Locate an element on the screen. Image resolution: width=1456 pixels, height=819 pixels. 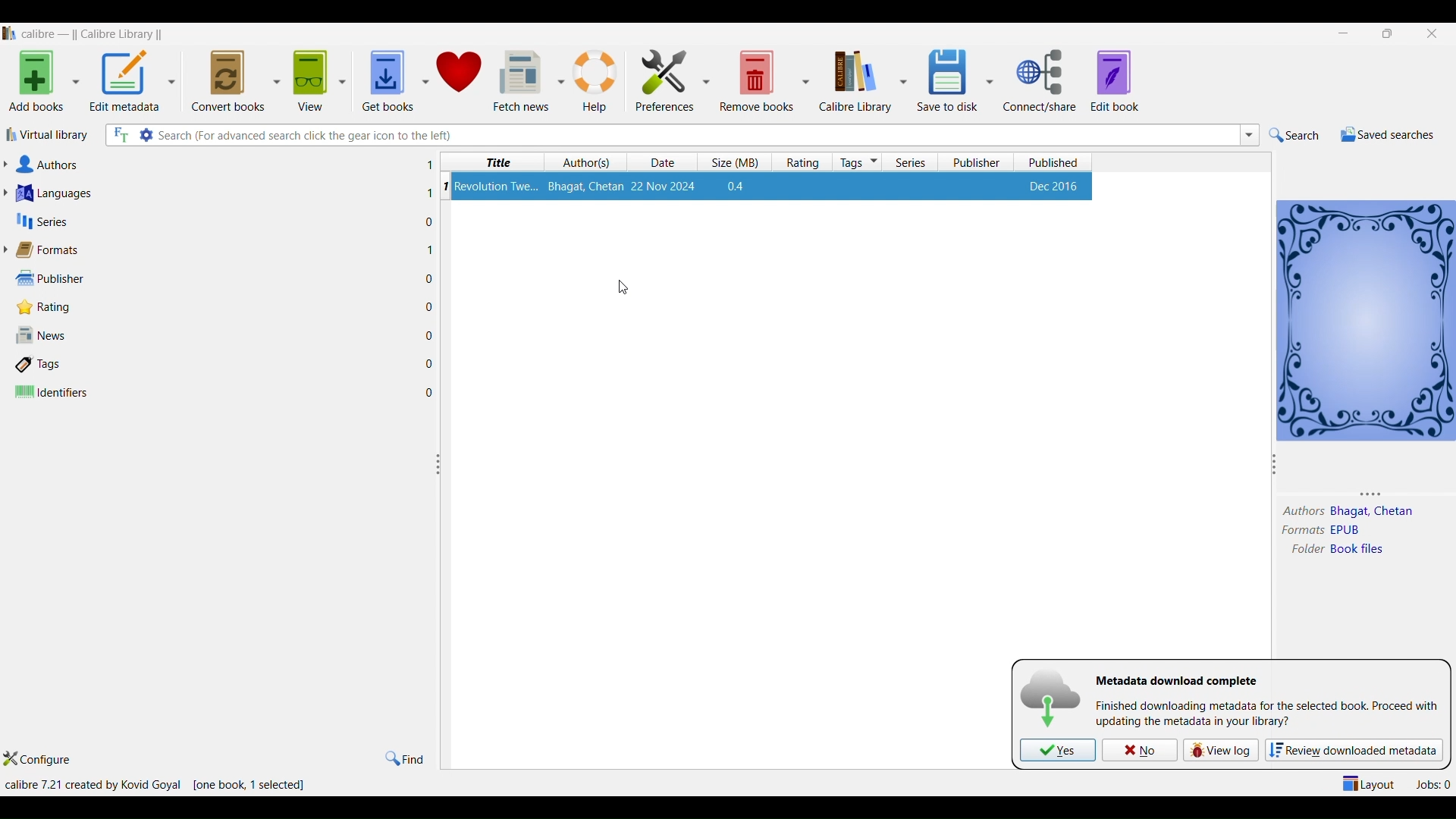
rating is located at coordinates (805, 162).